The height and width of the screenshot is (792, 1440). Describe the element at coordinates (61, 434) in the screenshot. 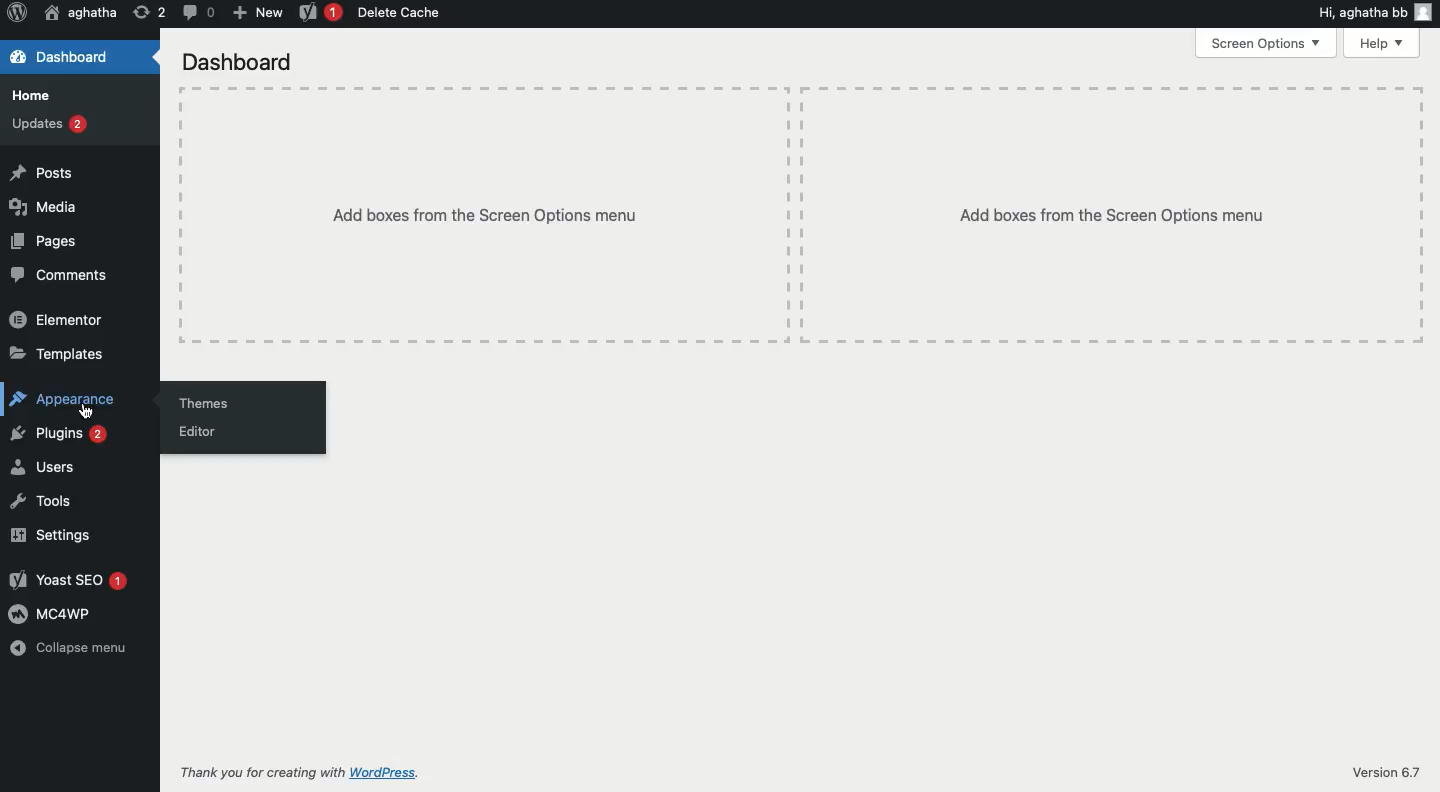

I see `Plugins` at that location.